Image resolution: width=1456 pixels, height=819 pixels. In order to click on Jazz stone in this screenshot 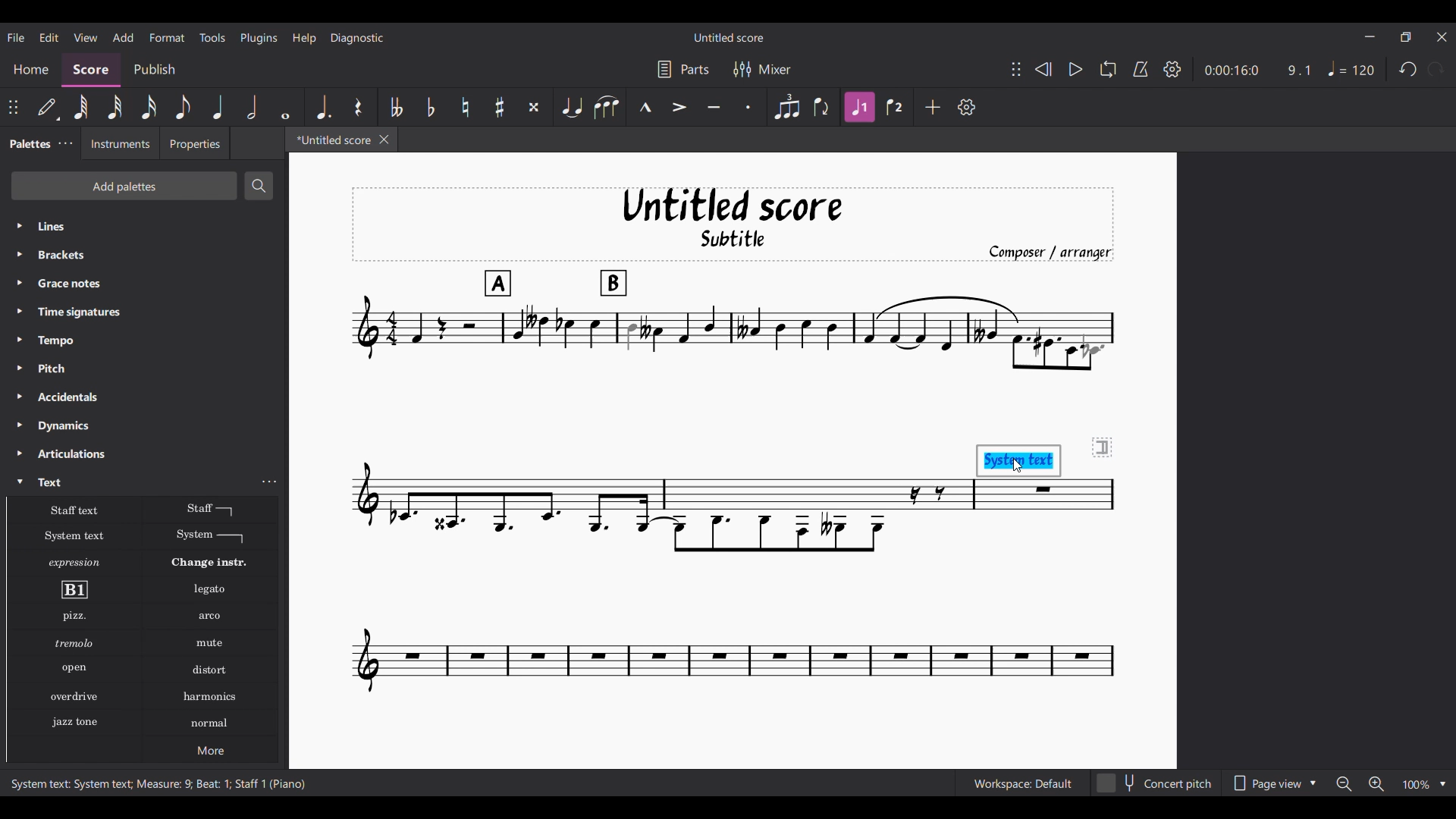, I will do `click(74, 723)`.